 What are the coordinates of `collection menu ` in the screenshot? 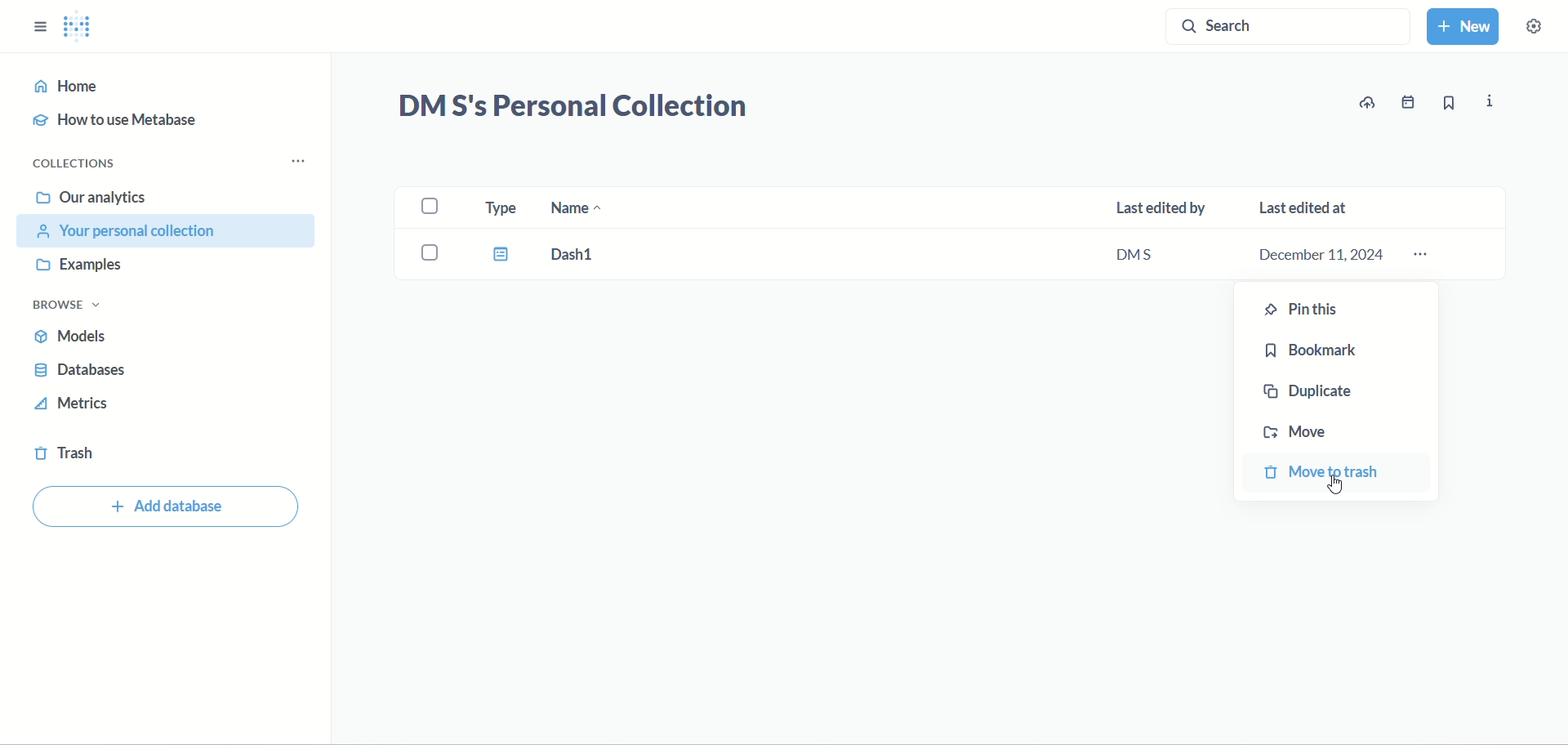 It's located at (305, 161).